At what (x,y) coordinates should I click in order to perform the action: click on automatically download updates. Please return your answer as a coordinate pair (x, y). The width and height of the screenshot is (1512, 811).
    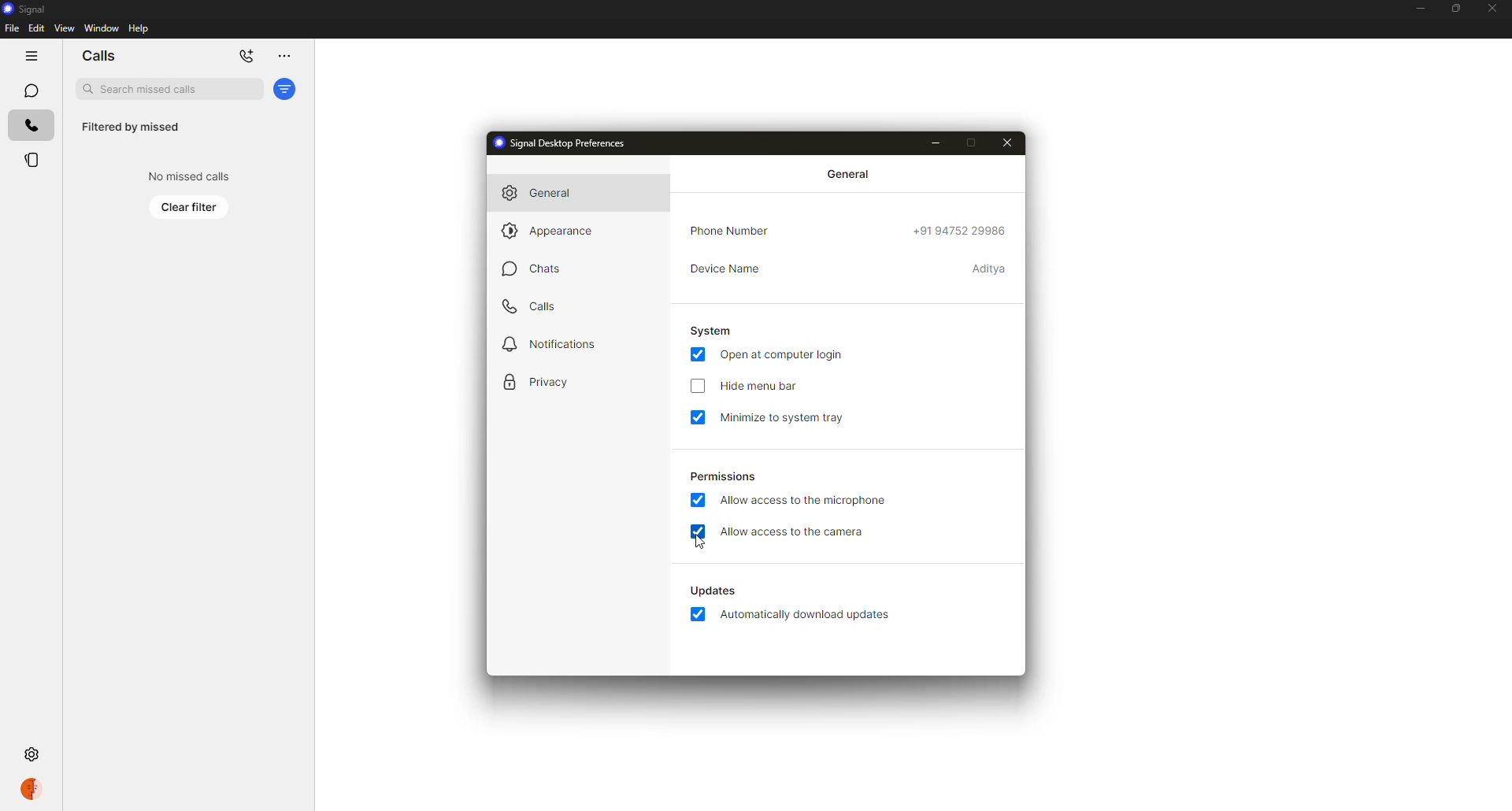
    Looking at the image, I should click on (806, 614).